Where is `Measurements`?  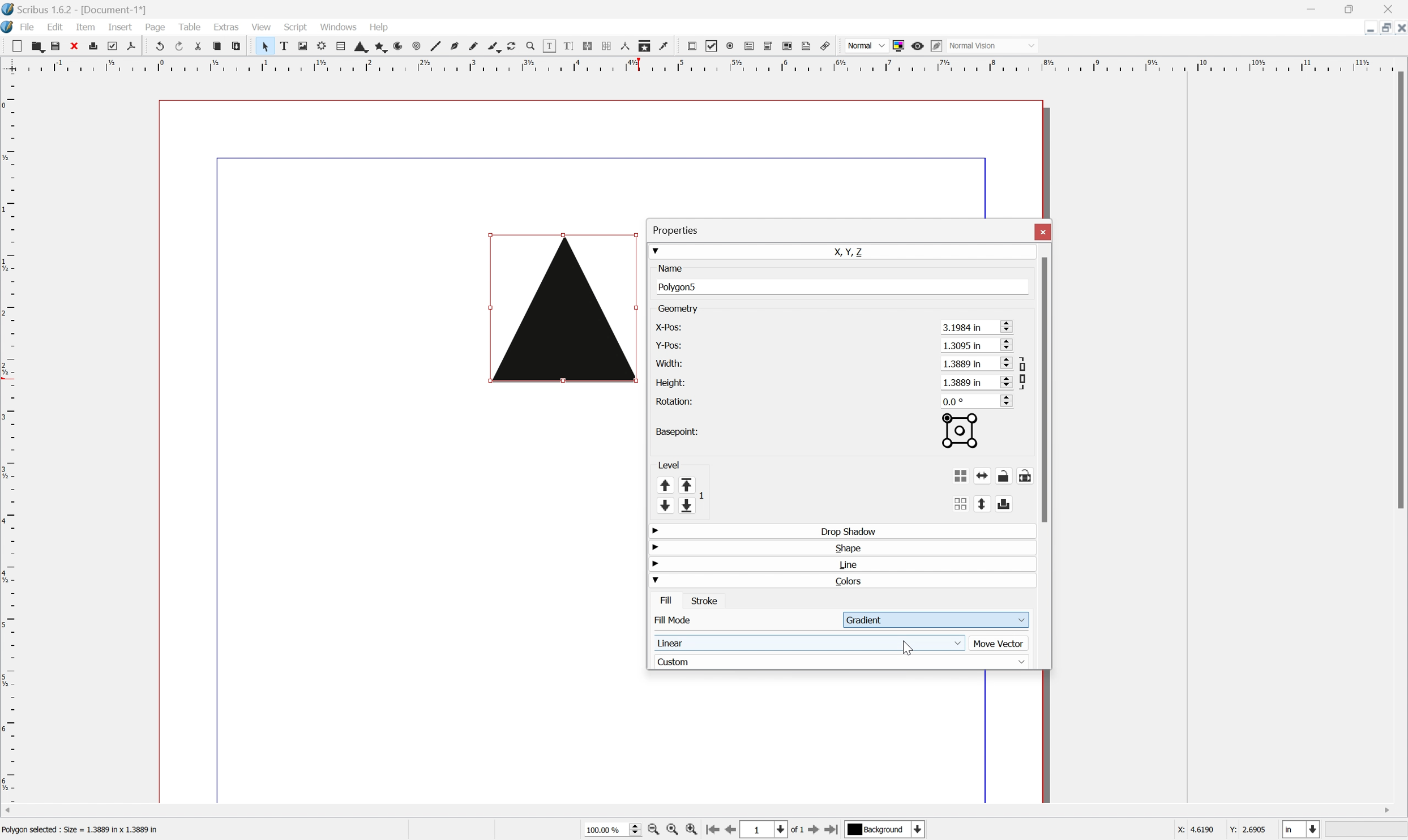 Measurements is located at coordinates (625, 47).